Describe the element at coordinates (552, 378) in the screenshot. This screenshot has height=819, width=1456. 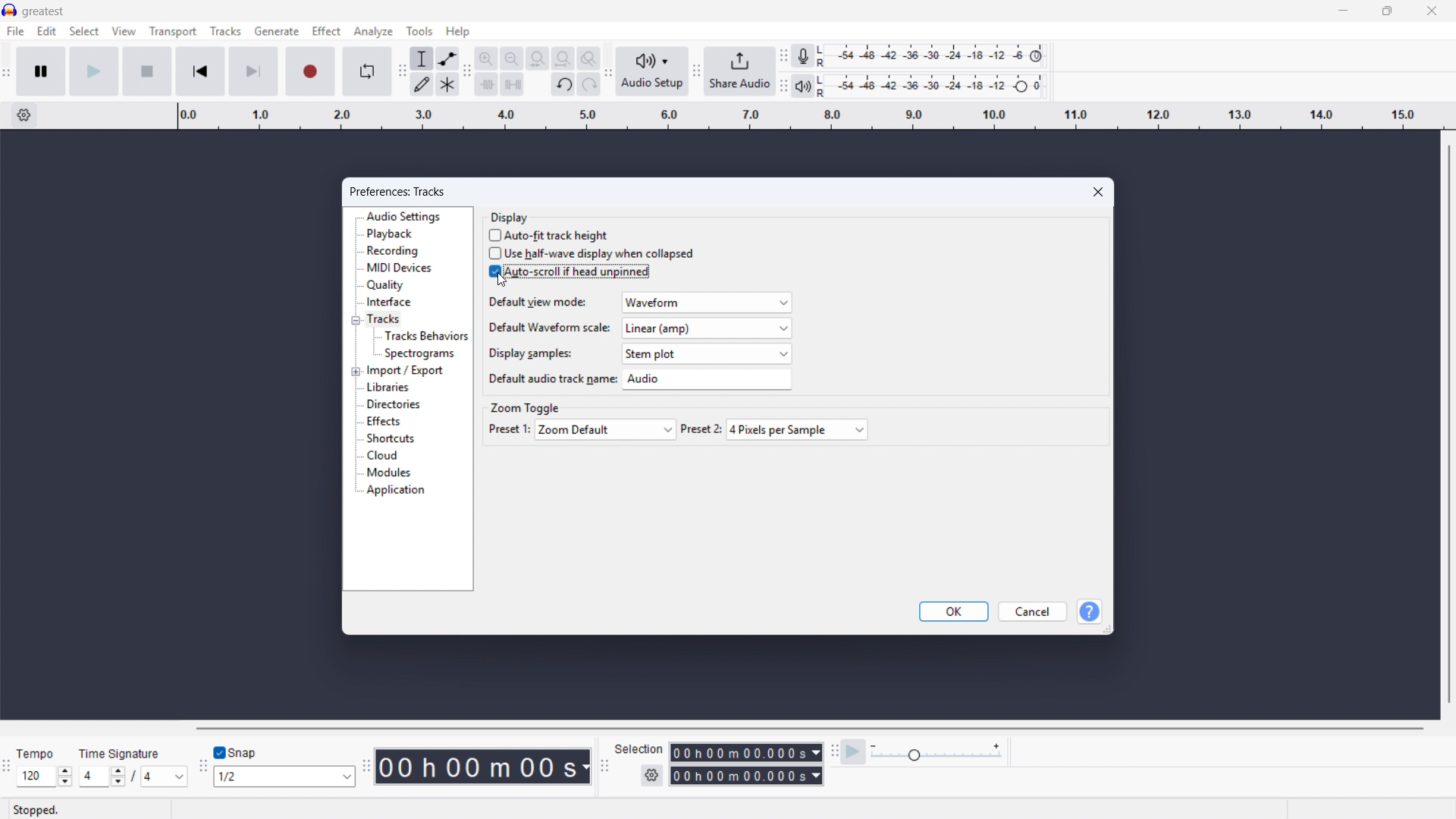
I see `Default audio track name` at that location.